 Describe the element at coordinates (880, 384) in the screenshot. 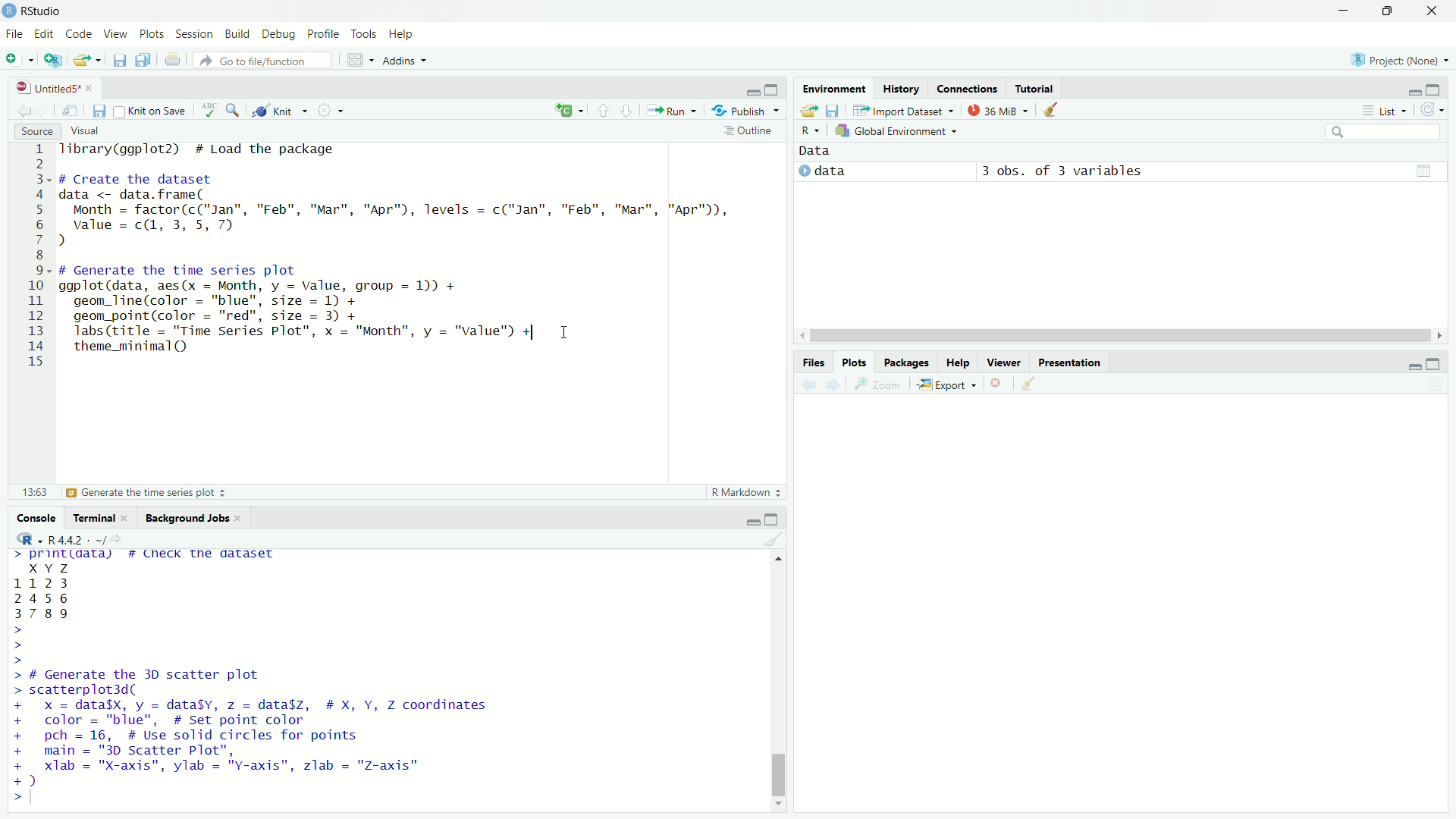

I see `view a larger version of the plot in new window` at that location.